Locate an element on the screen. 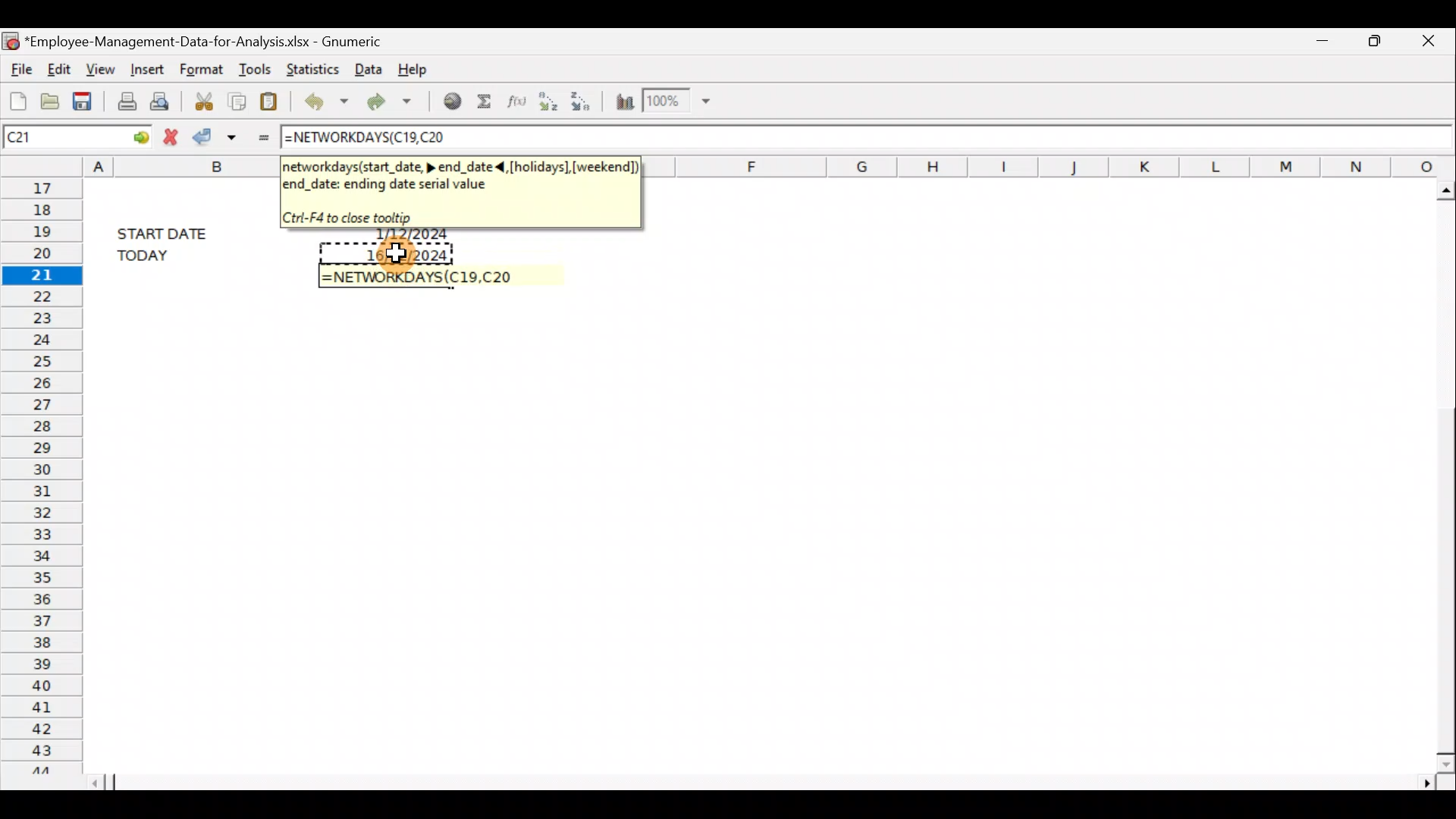 This screenshot has width=1456, height=819. Edit a function in the current cell is located at coordinates (514, 102).